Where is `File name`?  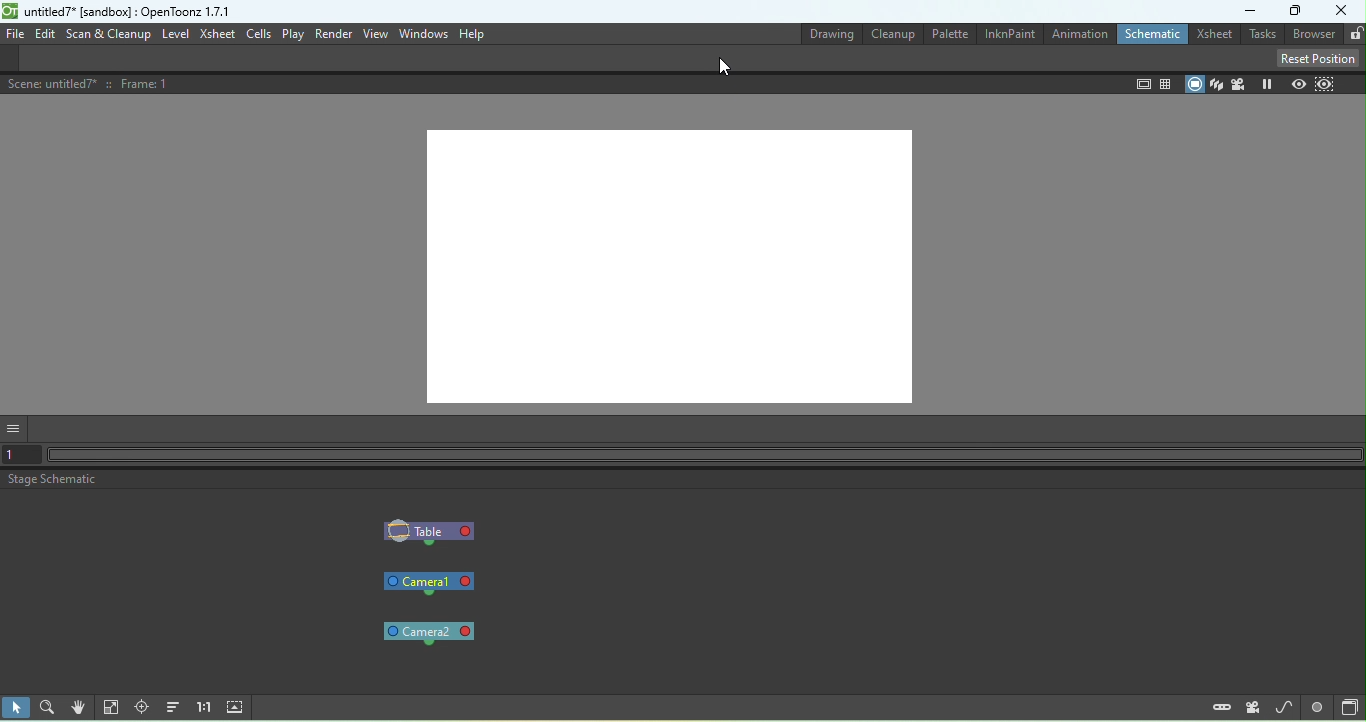
File name is located at coordinates (131, 11).